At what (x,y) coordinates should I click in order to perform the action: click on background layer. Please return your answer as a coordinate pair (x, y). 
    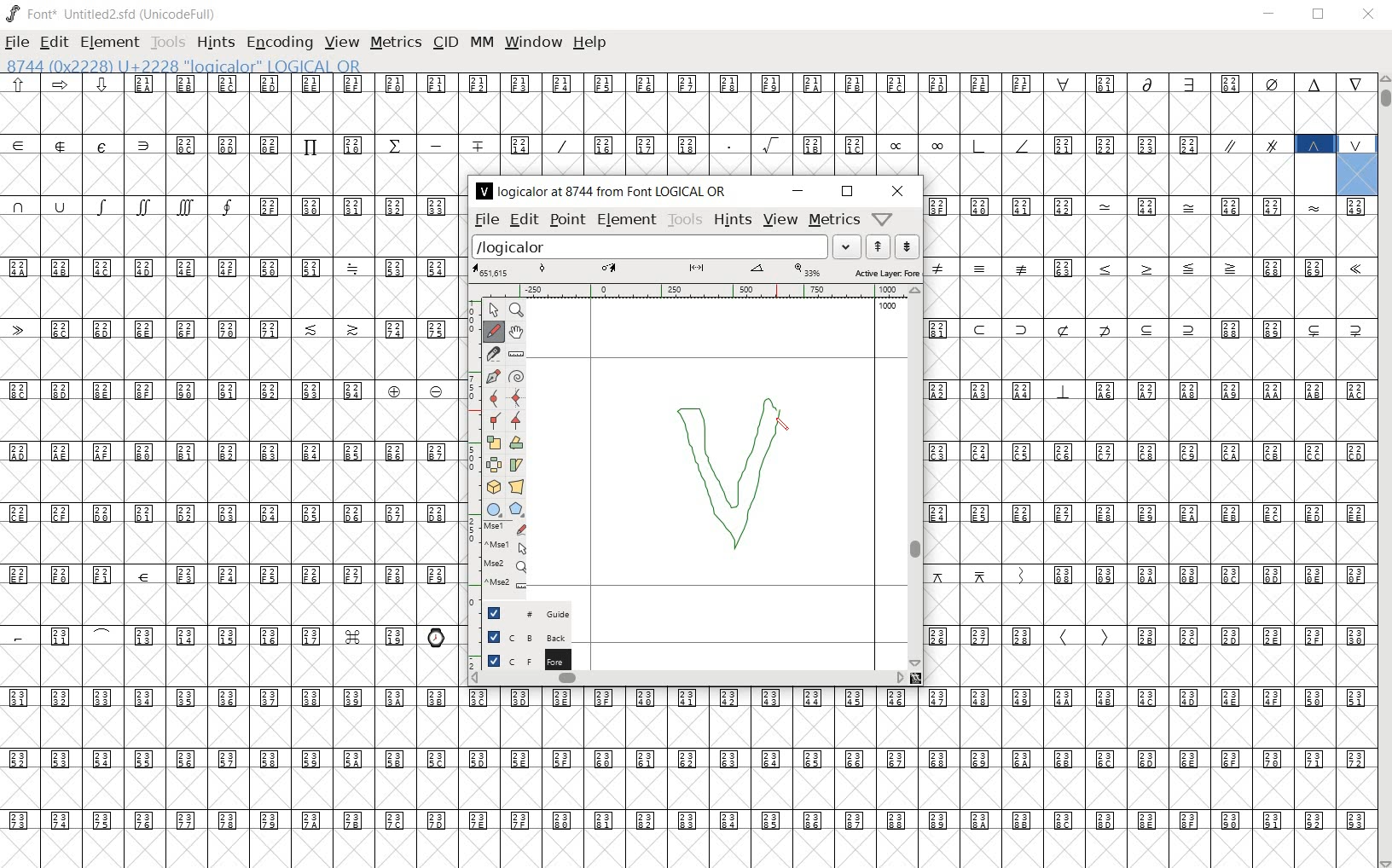
    Looking at the image, I should click on (518, 635).